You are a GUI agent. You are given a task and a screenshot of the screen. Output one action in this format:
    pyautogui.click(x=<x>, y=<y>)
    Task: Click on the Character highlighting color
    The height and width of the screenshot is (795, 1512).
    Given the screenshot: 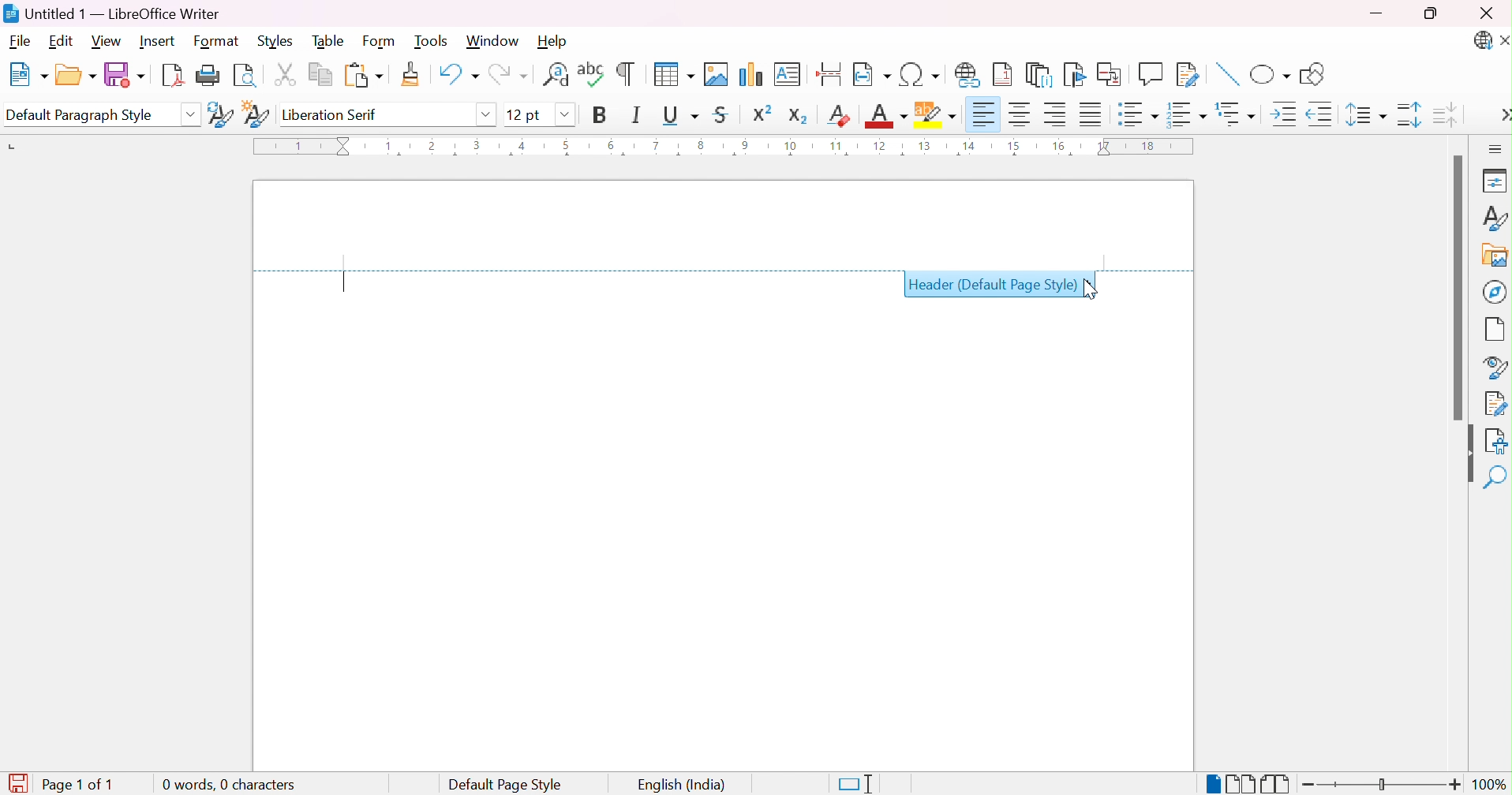 What is the action you would take?
    pyautogui.click(x=937, y=114)
    